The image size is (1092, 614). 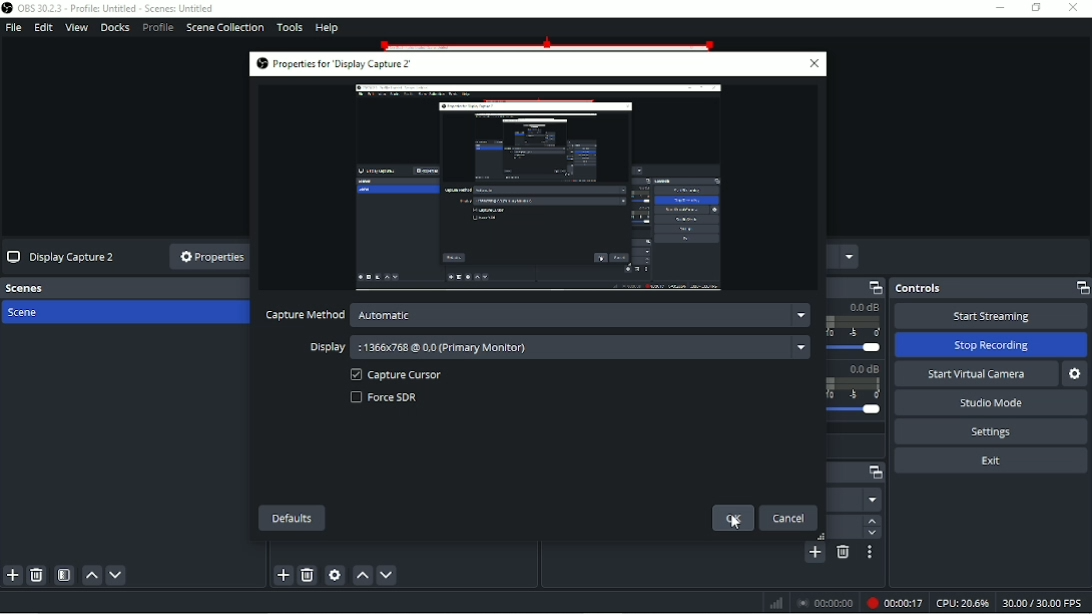 What do you see at coordinates (334, 575) in the screenshot?
I see `Open source properties` at bounding box center [334, 575].